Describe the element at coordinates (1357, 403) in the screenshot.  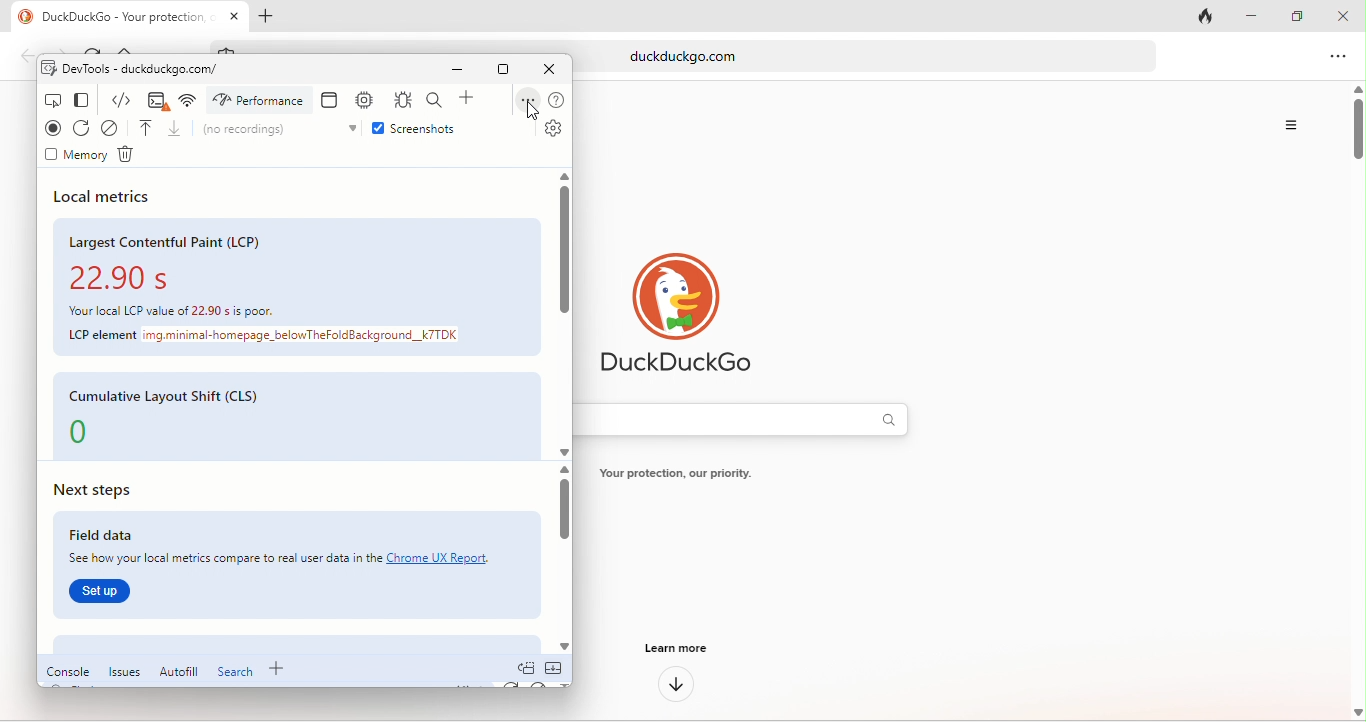
I see `vertical scroll bar` at that location.